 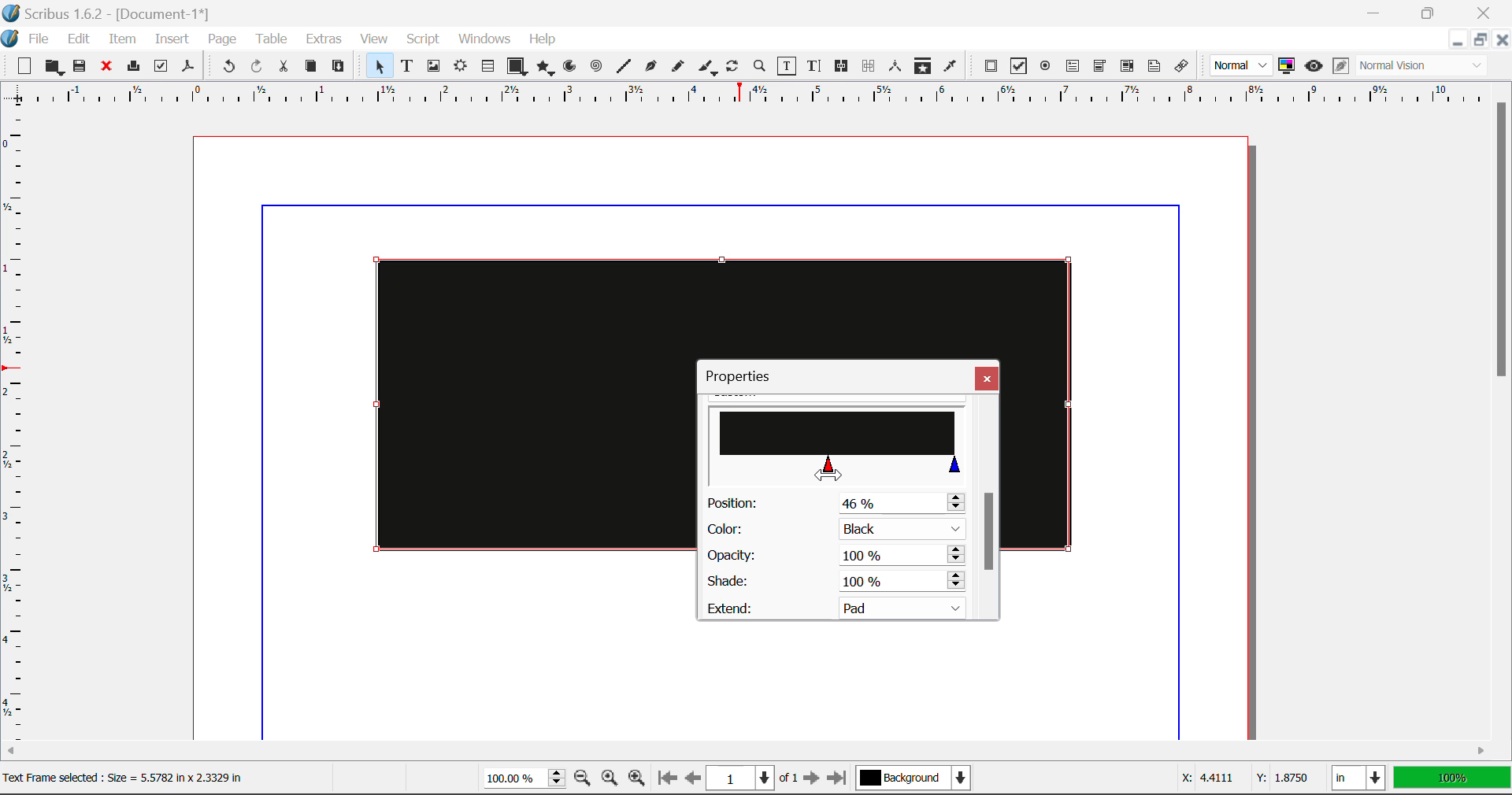 What do you see at coordinates (81, 67) in the screenshot?
I see `Save` at bounding box center [81, 67].